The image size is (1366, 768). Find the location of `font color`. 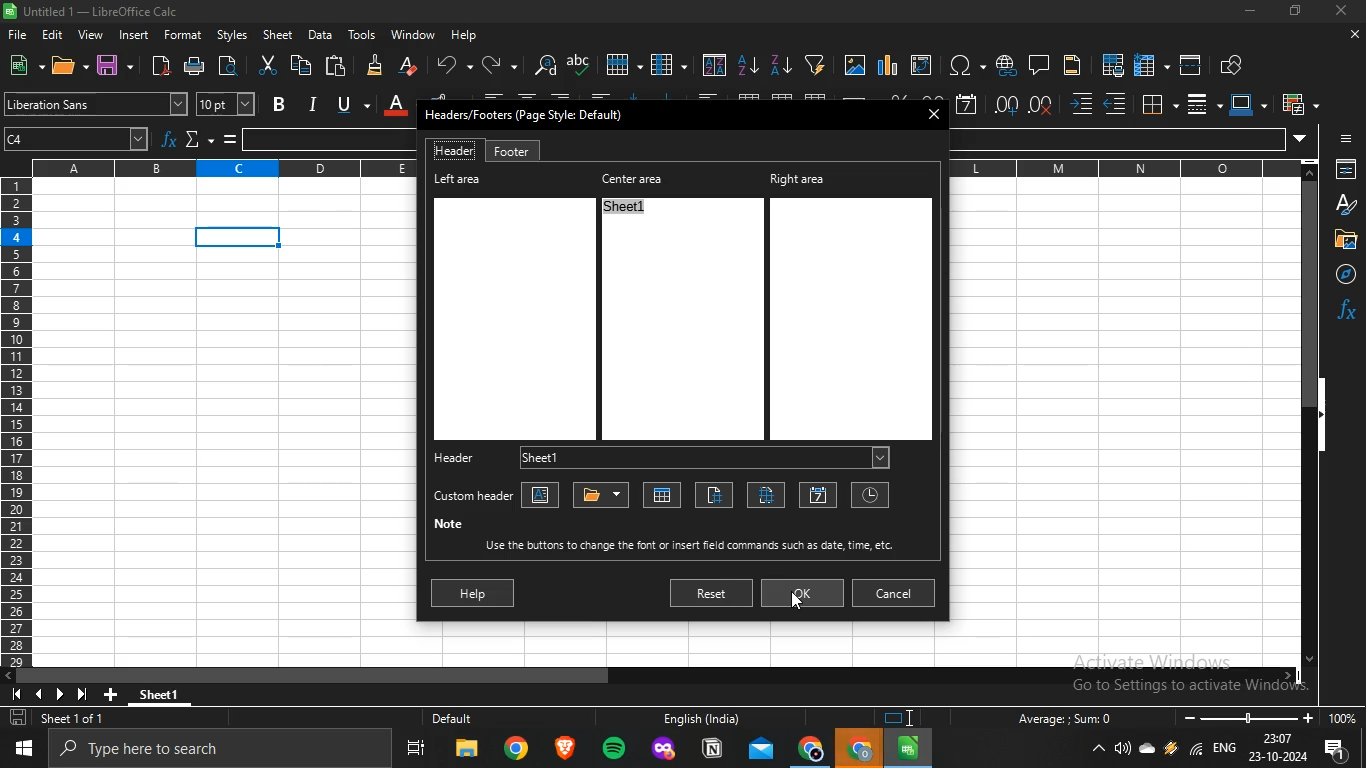

font color is located at coordinates (395, 103).